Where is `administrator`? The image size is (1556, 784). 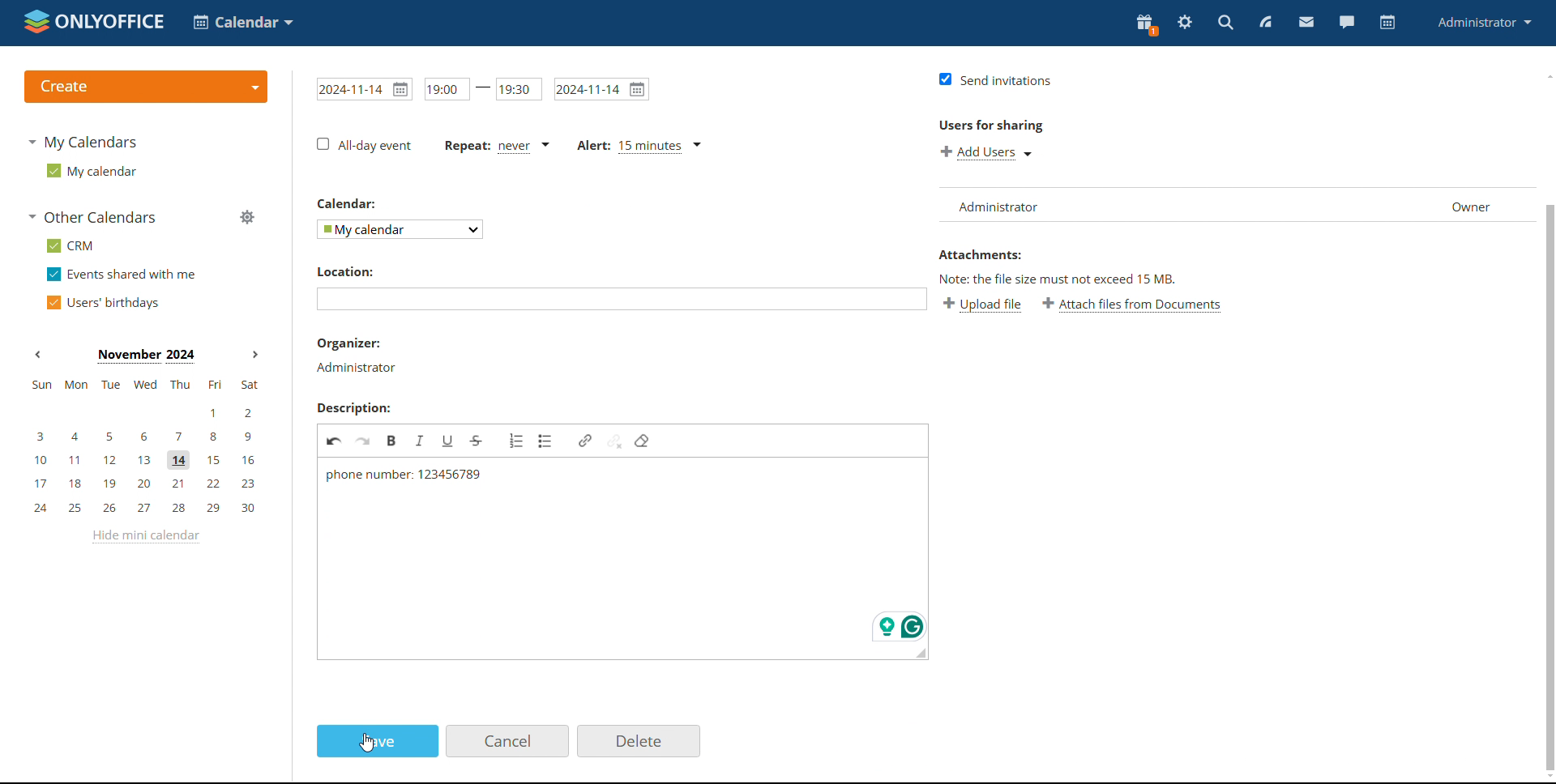 administrator is located at coordinates (357, 367).